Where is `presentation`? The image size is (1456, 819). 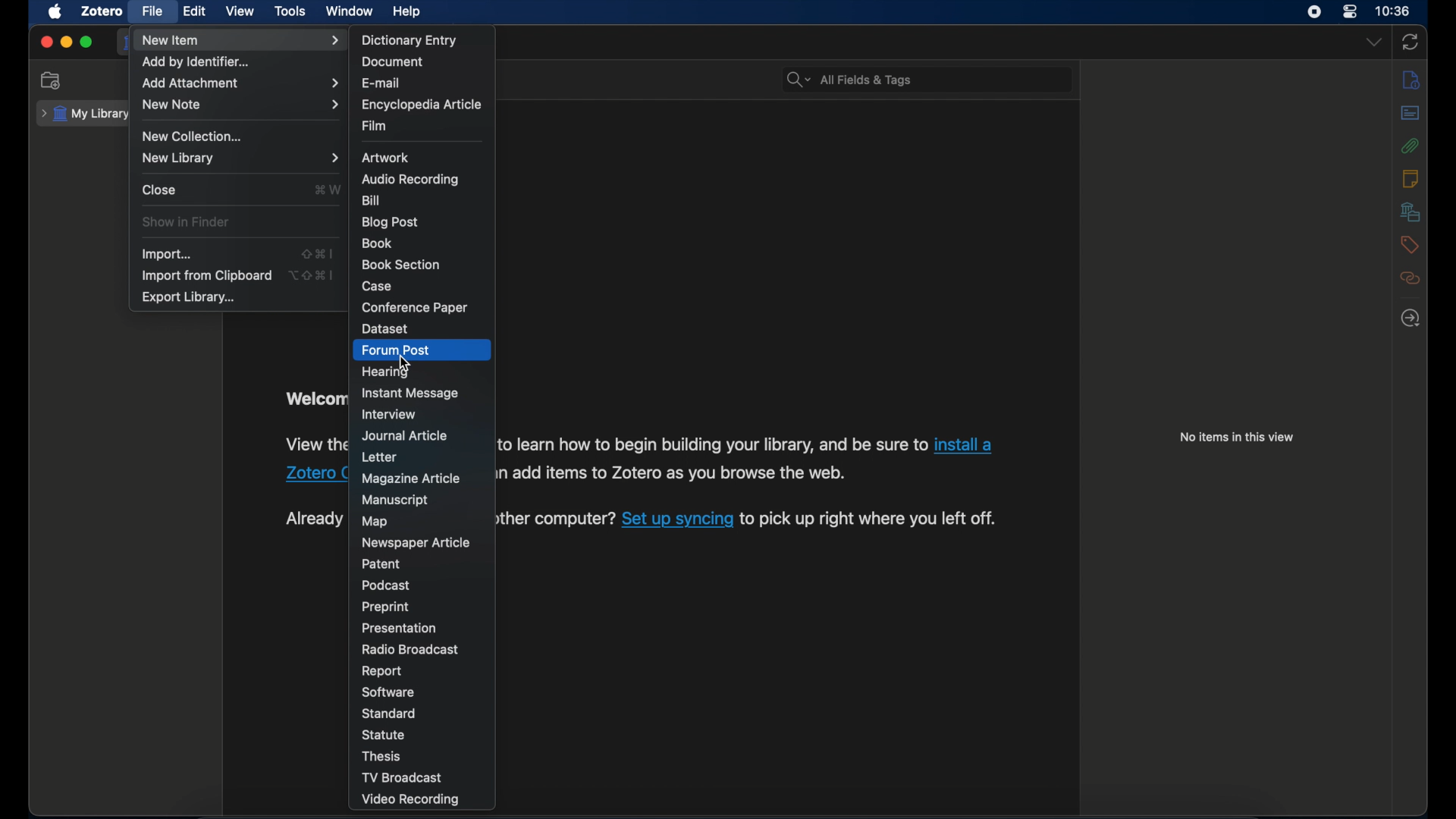 presentation is located at coordinates (400, 626).